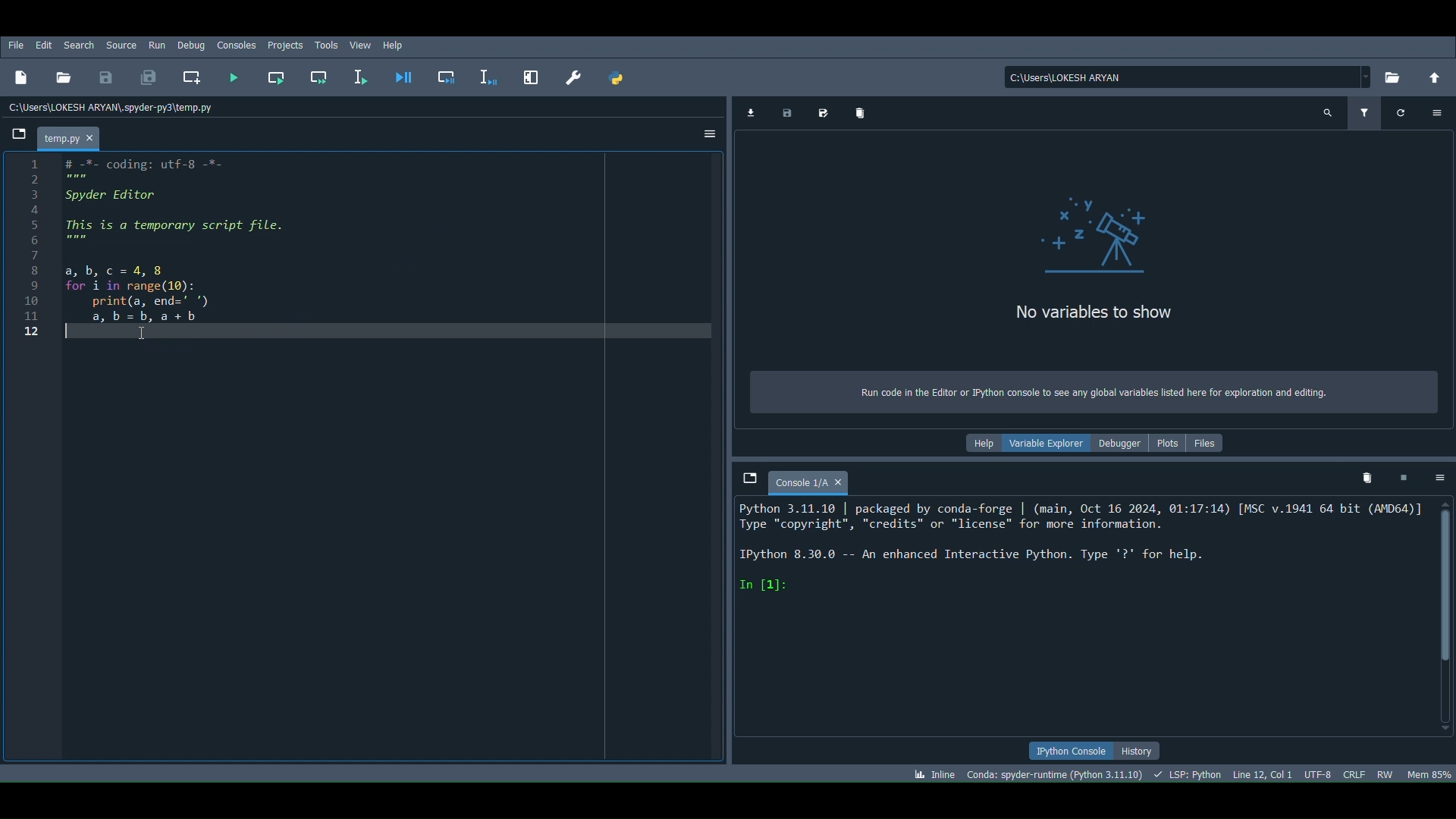  Describe the element at coordinates (1263, 774) in the screenshot. I see `Cursor position` at that location.